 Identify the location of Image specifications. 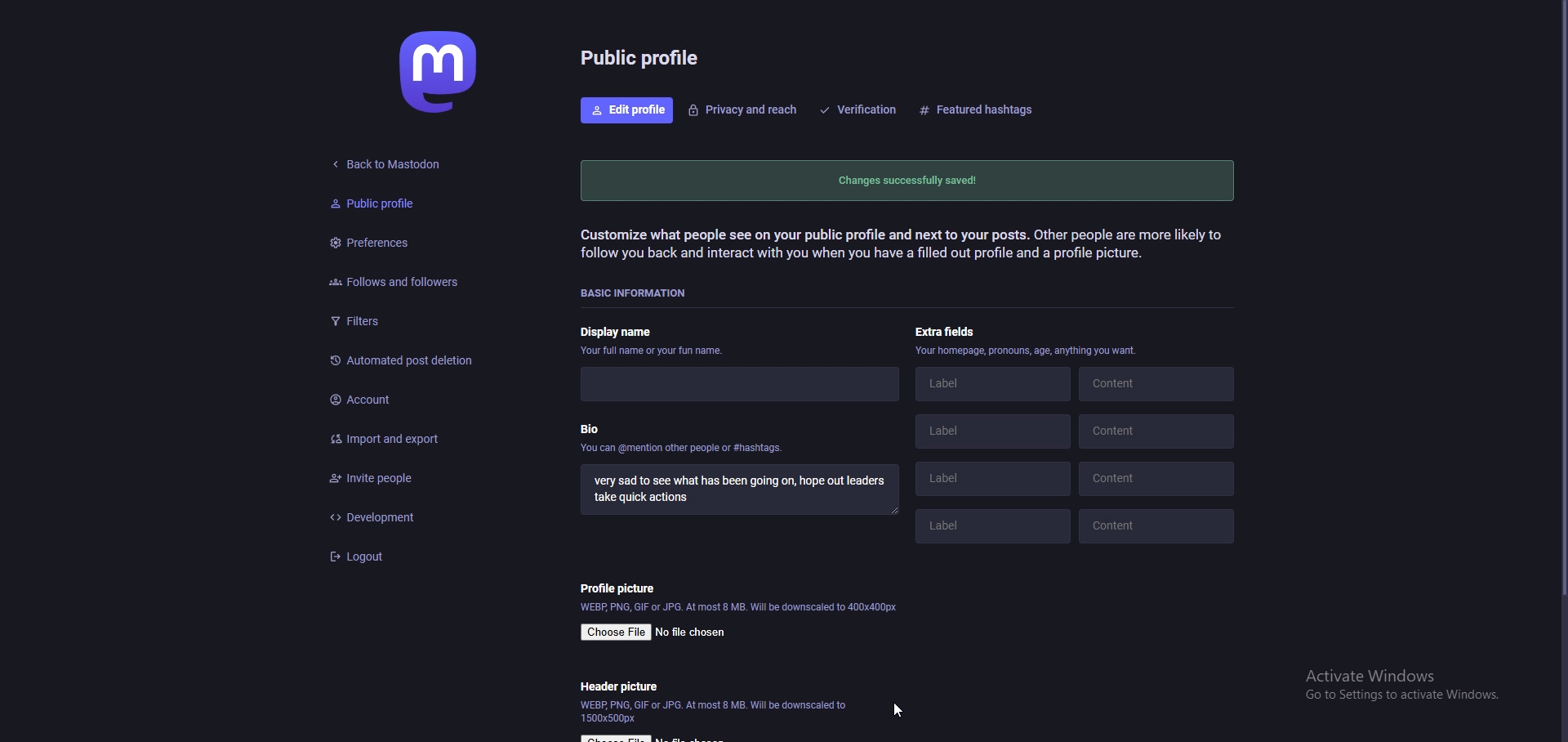
(706, 711).